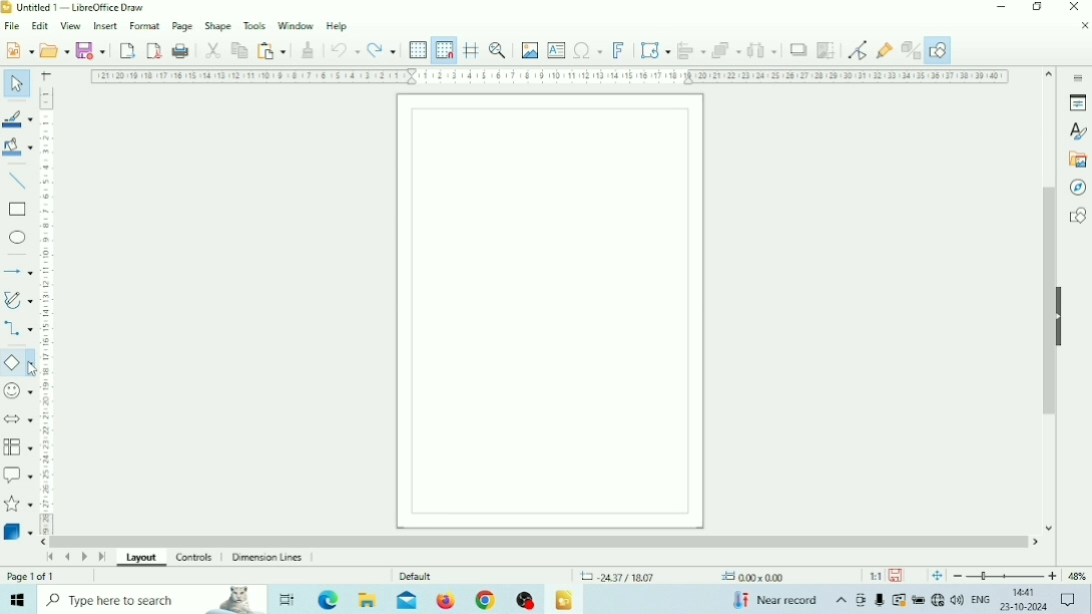 The height and width of the screenshot is (614, 1092). I want to click on Time, so click(1026, 592).